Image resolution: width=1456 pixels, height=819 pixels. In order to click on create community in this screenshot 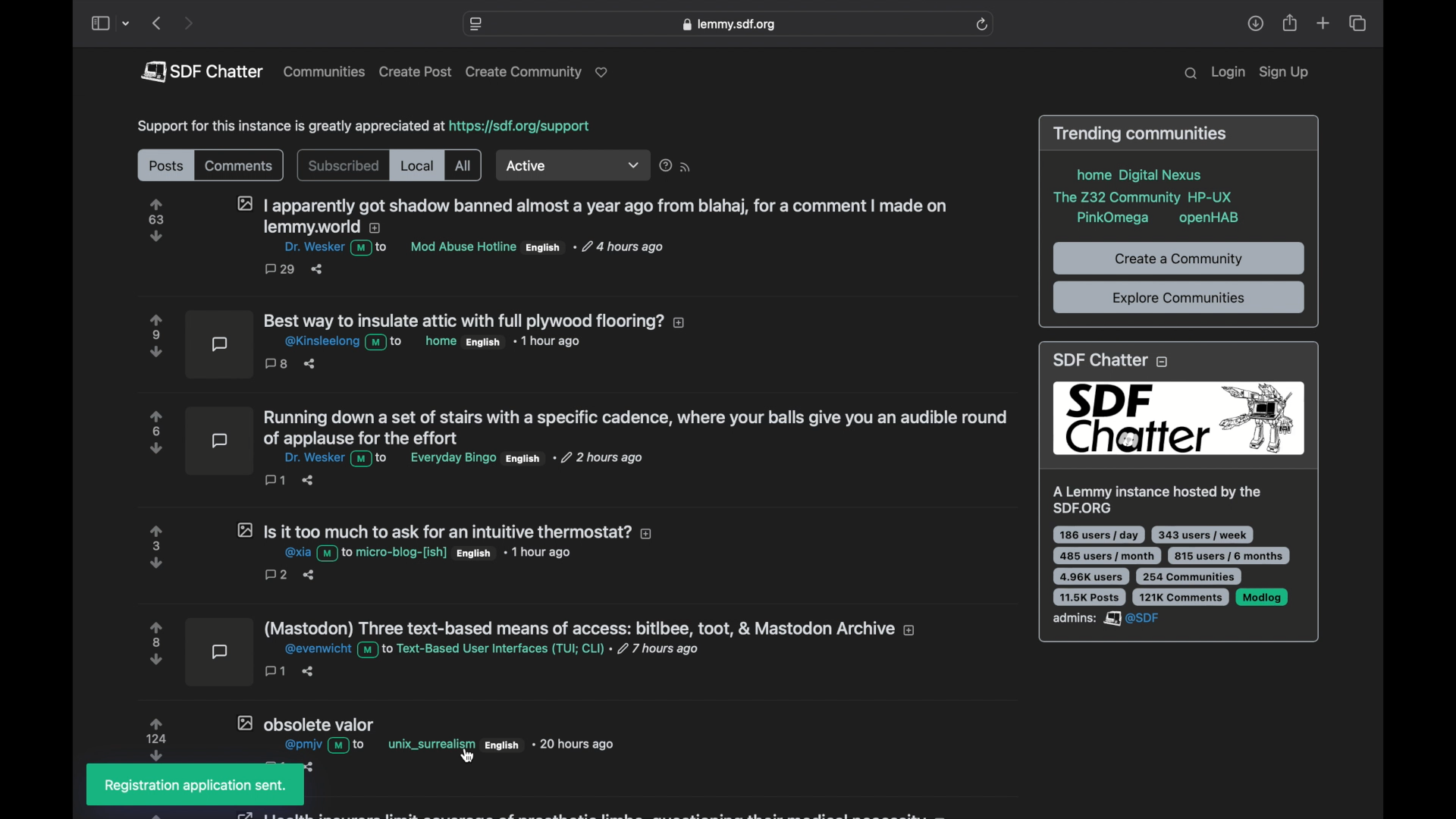, I will do `click(540, 73)`.